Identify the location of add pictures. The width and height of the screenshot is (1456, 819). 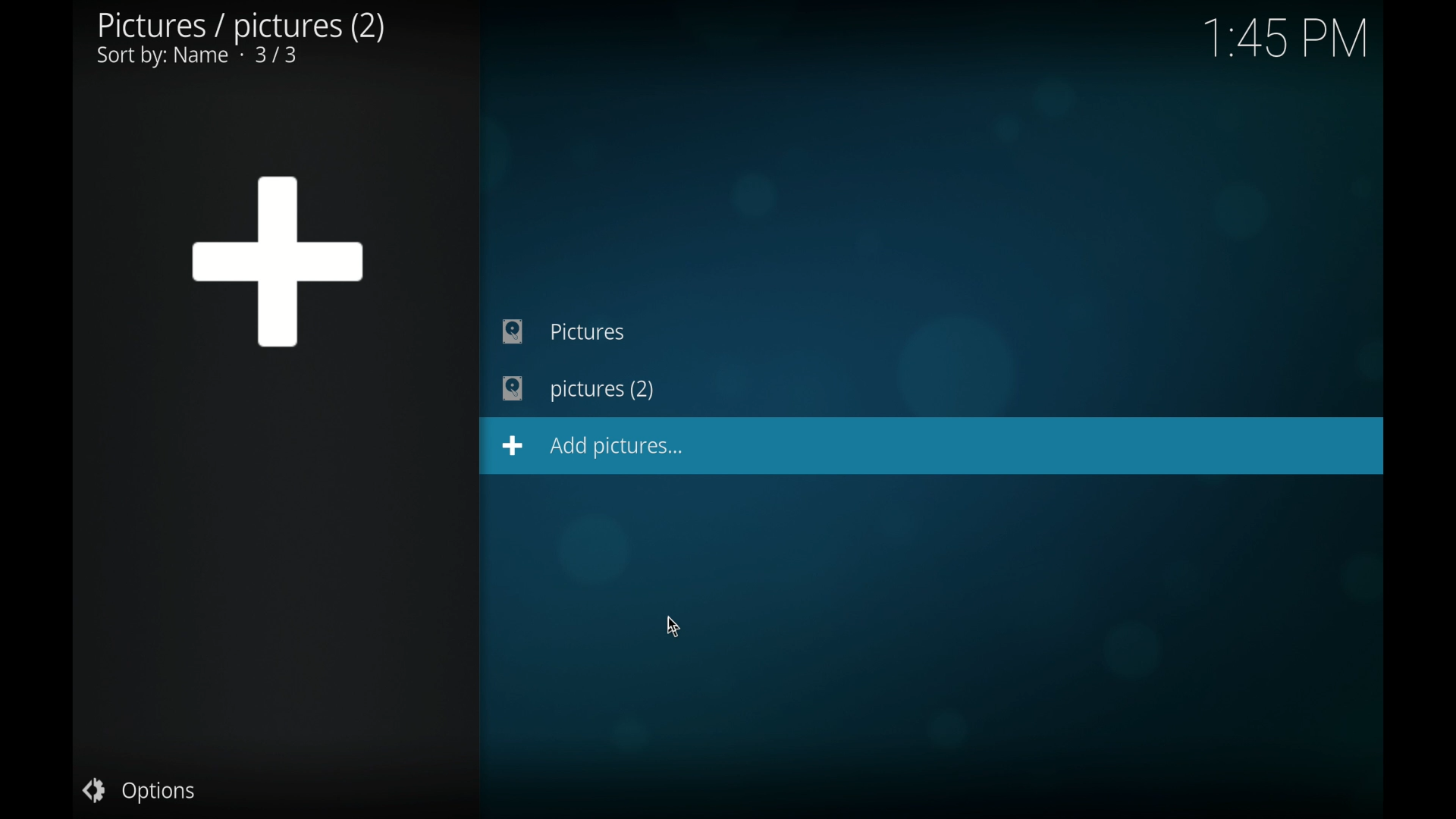
(595, 445).